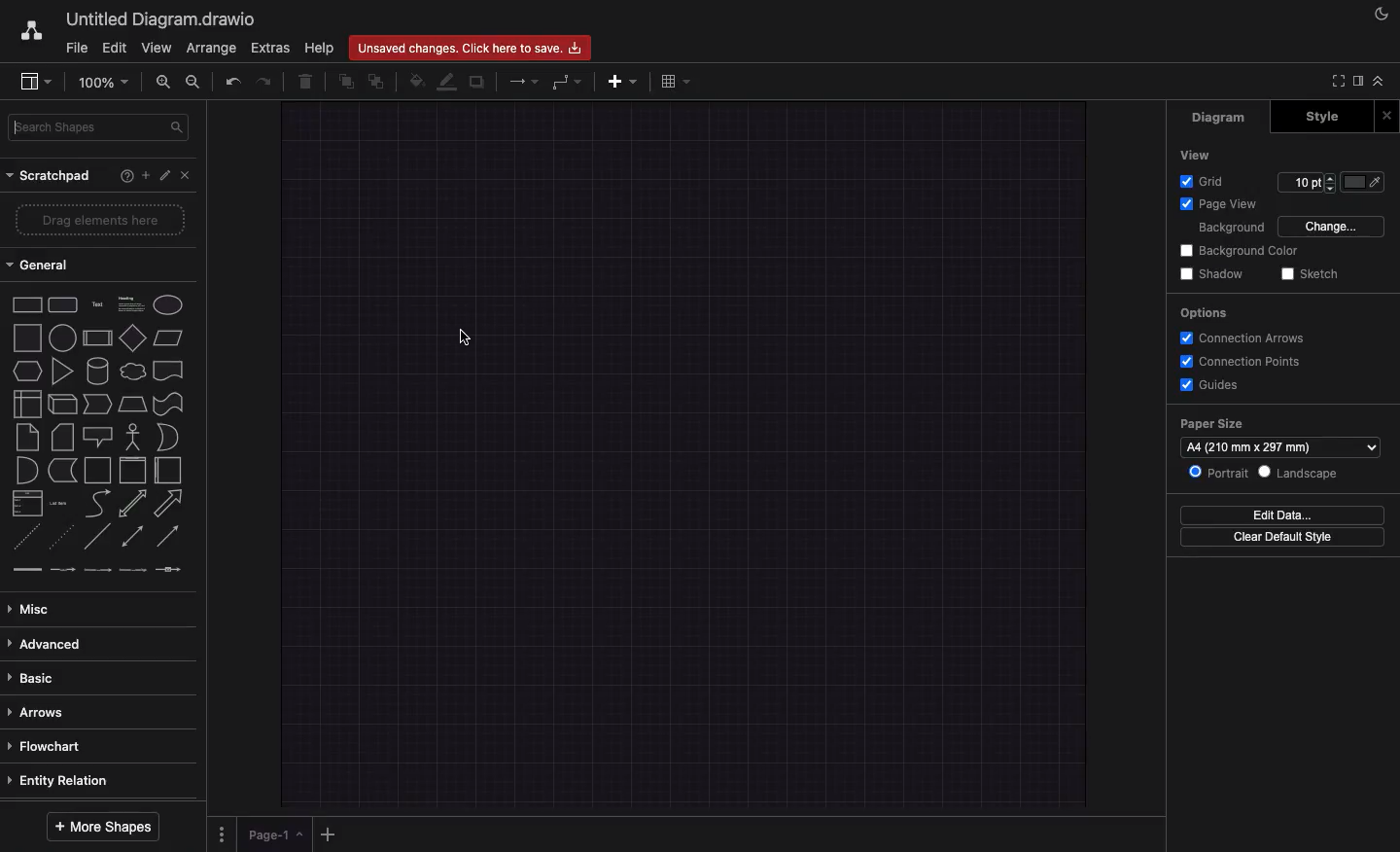 This screenshot has width=1400, height=852. What do you see at coordinates (157, 49) in the screenshot?
I see `View` at bounding box center [157, 49].